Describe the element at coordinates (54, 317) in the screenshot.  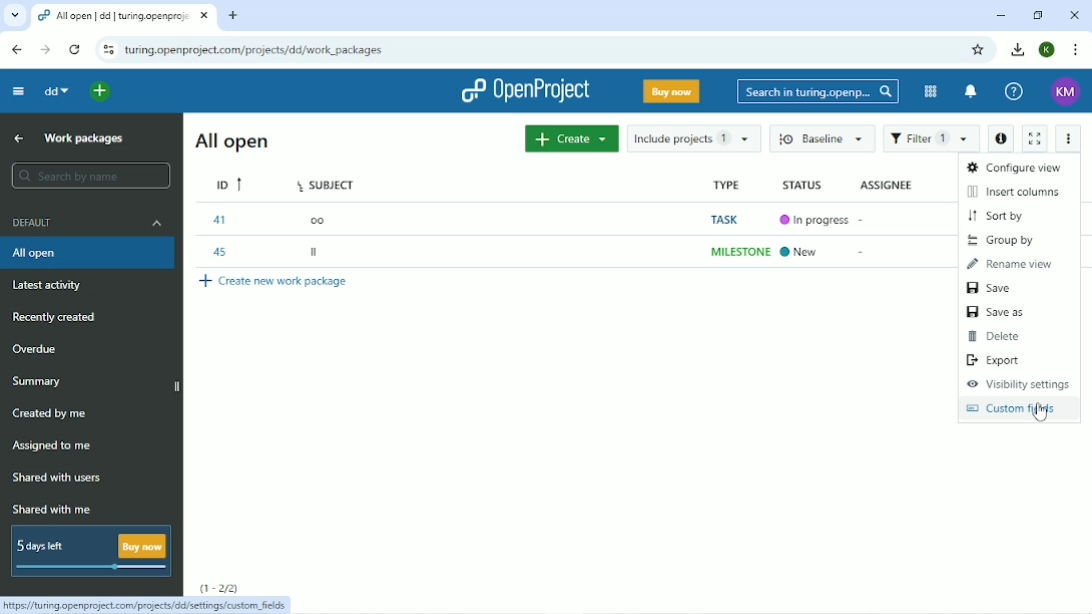
I see `Recently deleted` at that location.